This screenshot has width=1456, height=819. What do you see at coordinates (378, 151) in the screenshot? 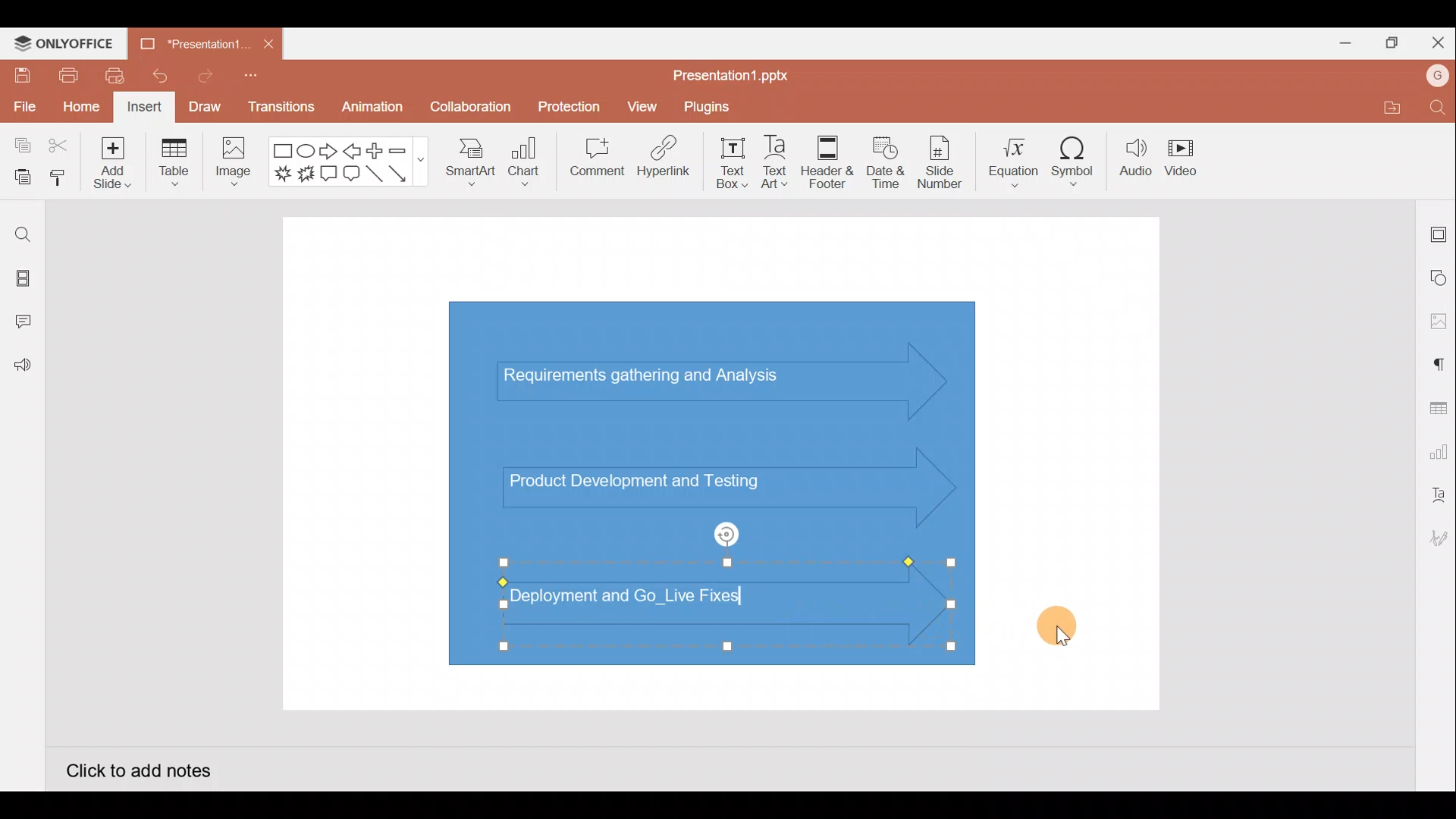
I see `Plus` at bounding box center [378, 151].